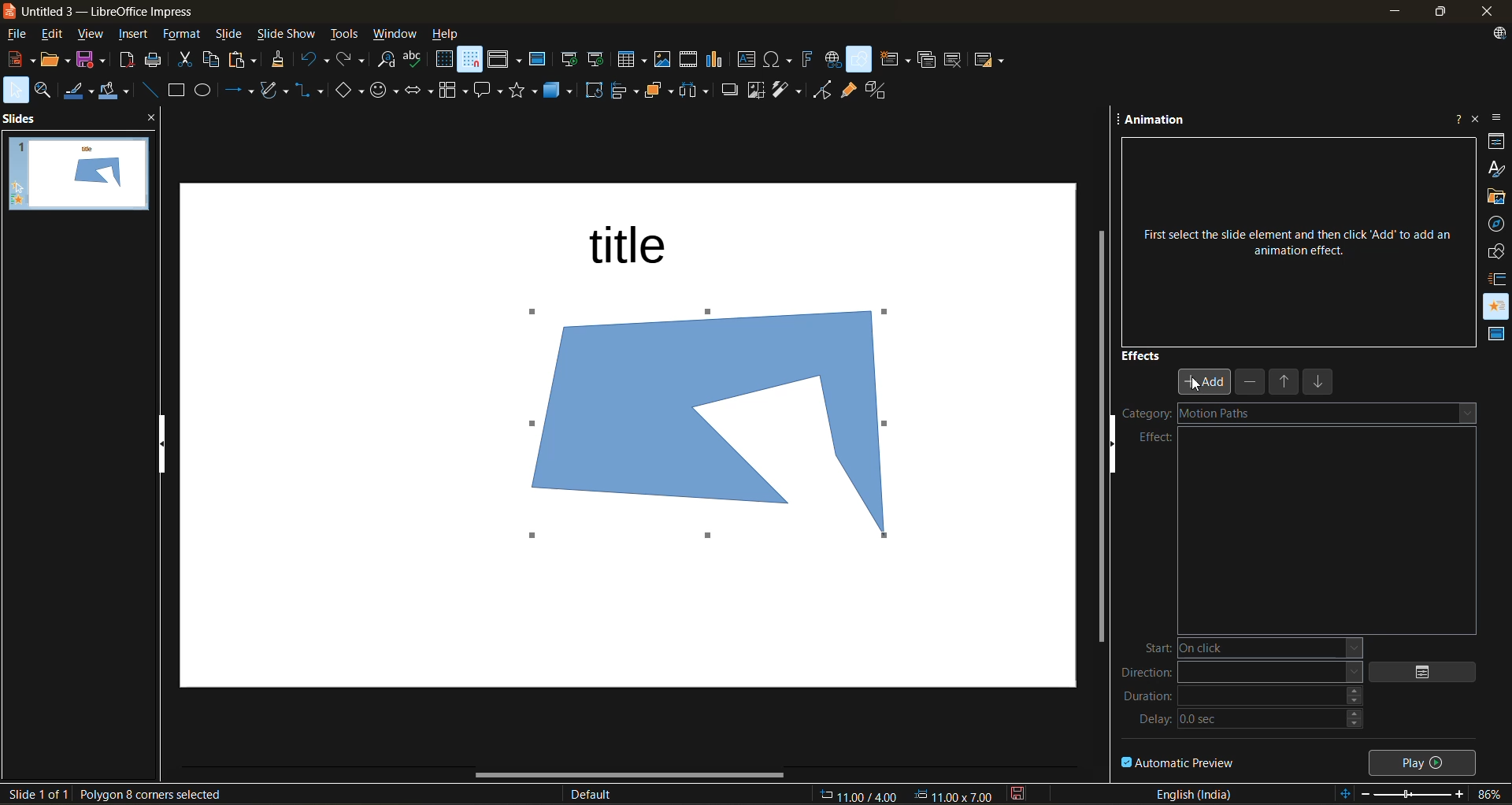 The image size is (1512, 805). Describe the element at coordinates (1495, 276) in the screenshot. I see `slide transition` at that location.